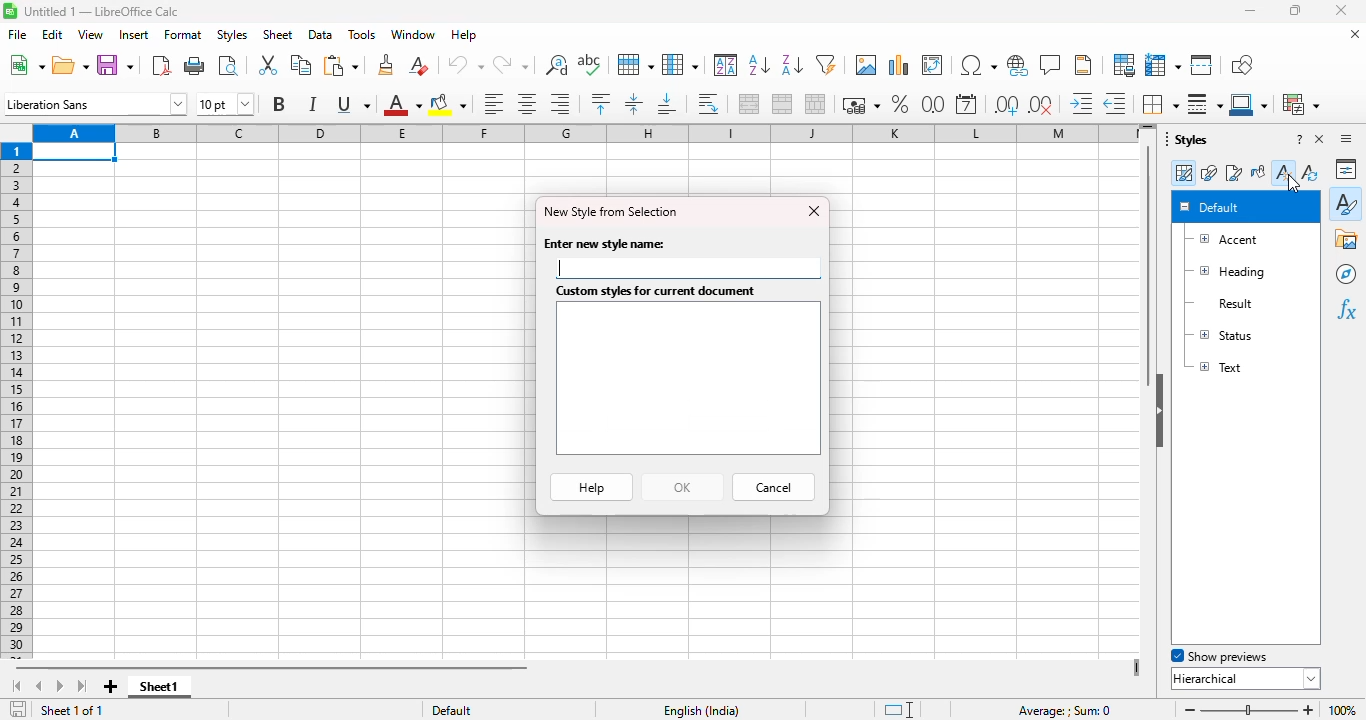 The height and width of the screenshot is (720, 1366). What do you see at coordinates (1220, 334) in the screenshot?
I see `status` at bounding box center [1220, 334].